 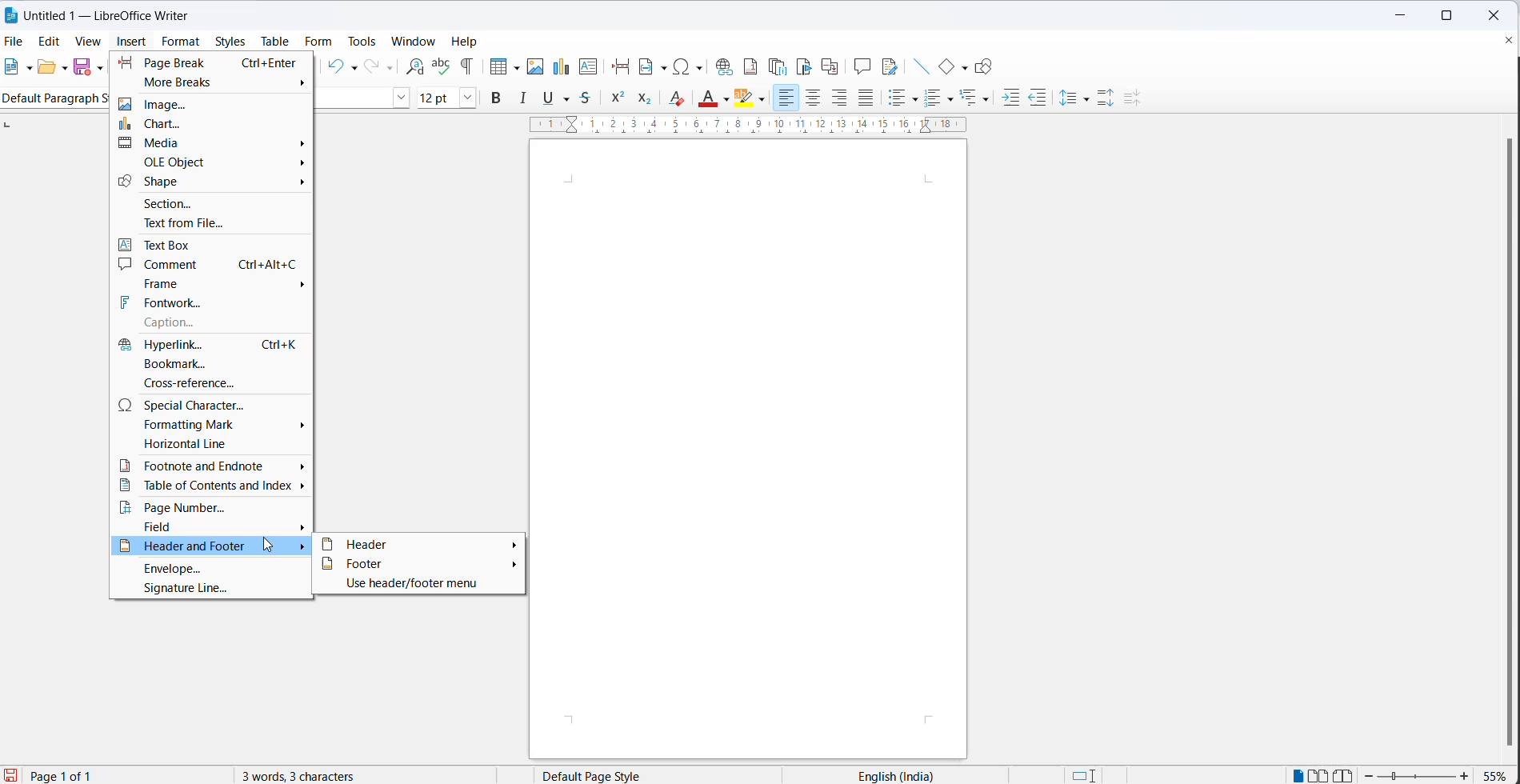 What do you see at coordinates (205, 265) in the screenshot?
I see `comment` at bounding box center [205, 265].